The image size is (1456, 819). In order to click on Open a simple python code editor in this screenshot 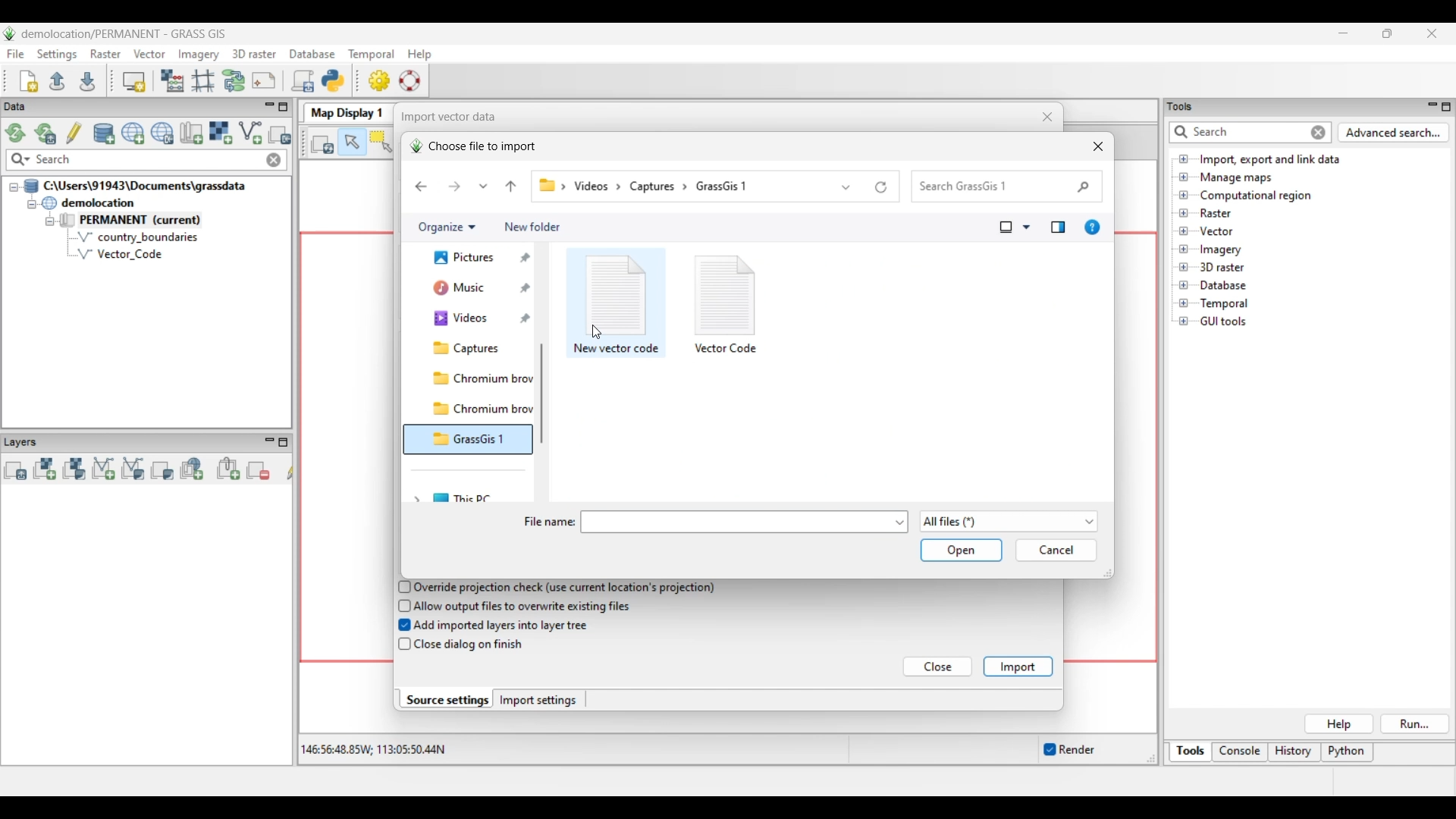, I will do `click(333, 80)`.